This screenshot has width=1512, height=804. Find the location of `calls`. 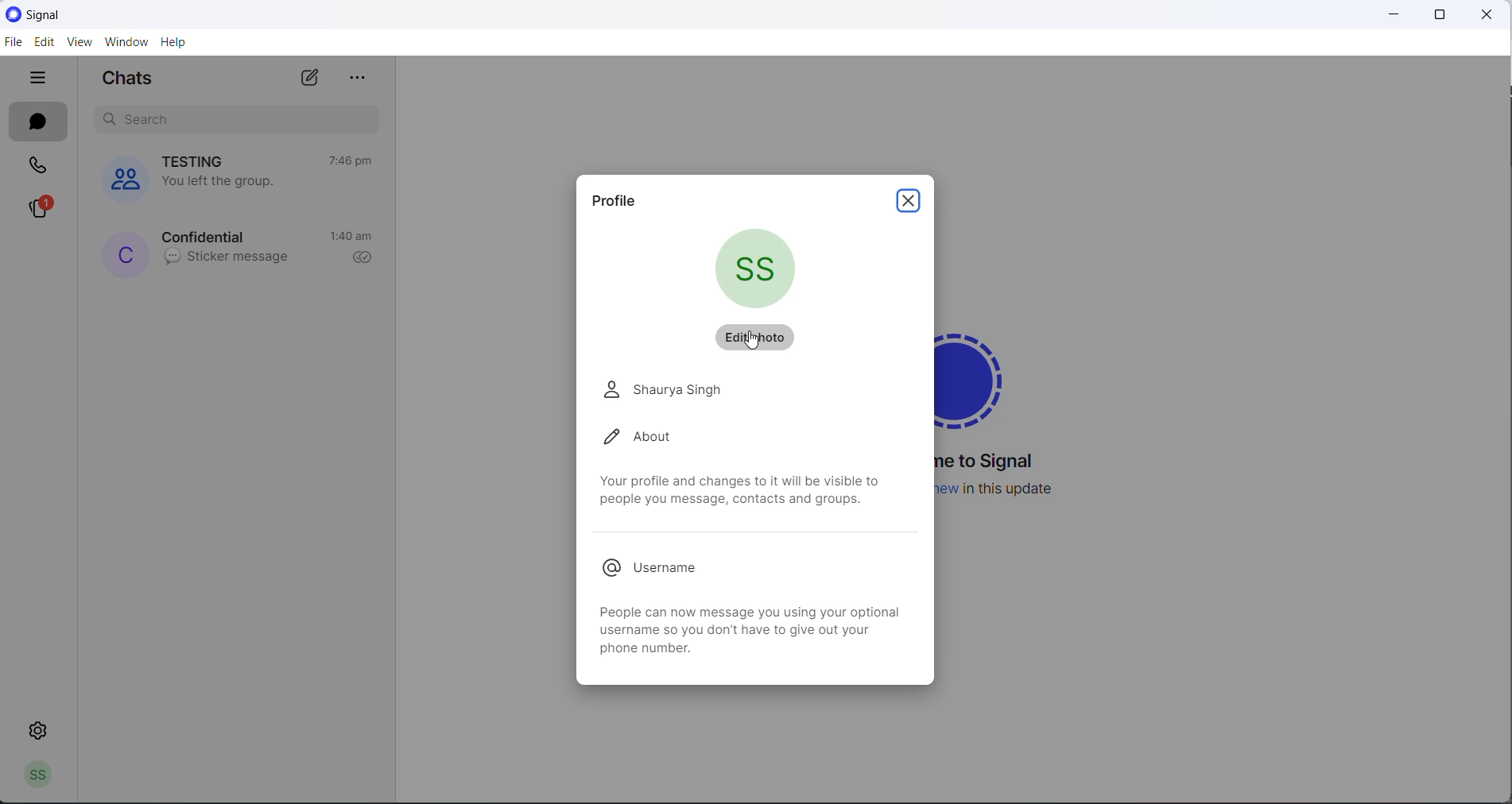

calls is located at coordinates (39, 169).